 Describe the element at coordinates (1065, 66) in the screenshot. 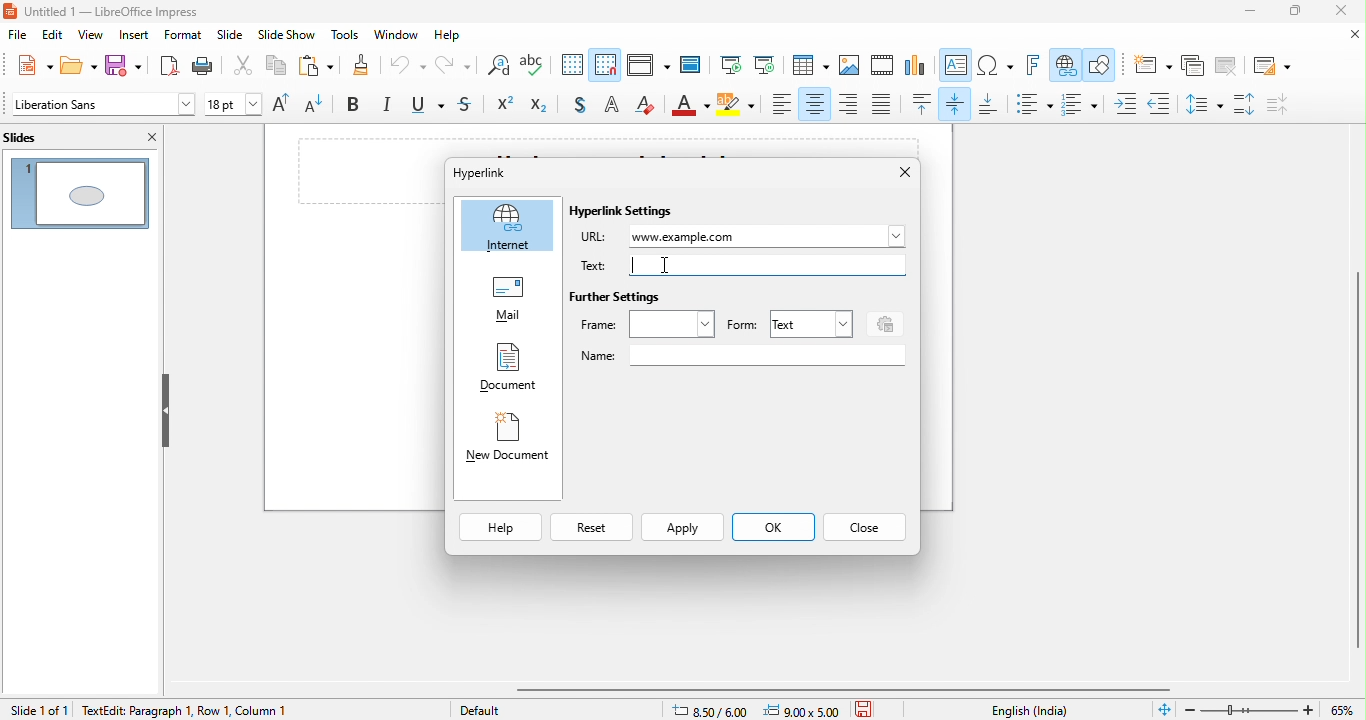

I see `hyperlink` at that location.